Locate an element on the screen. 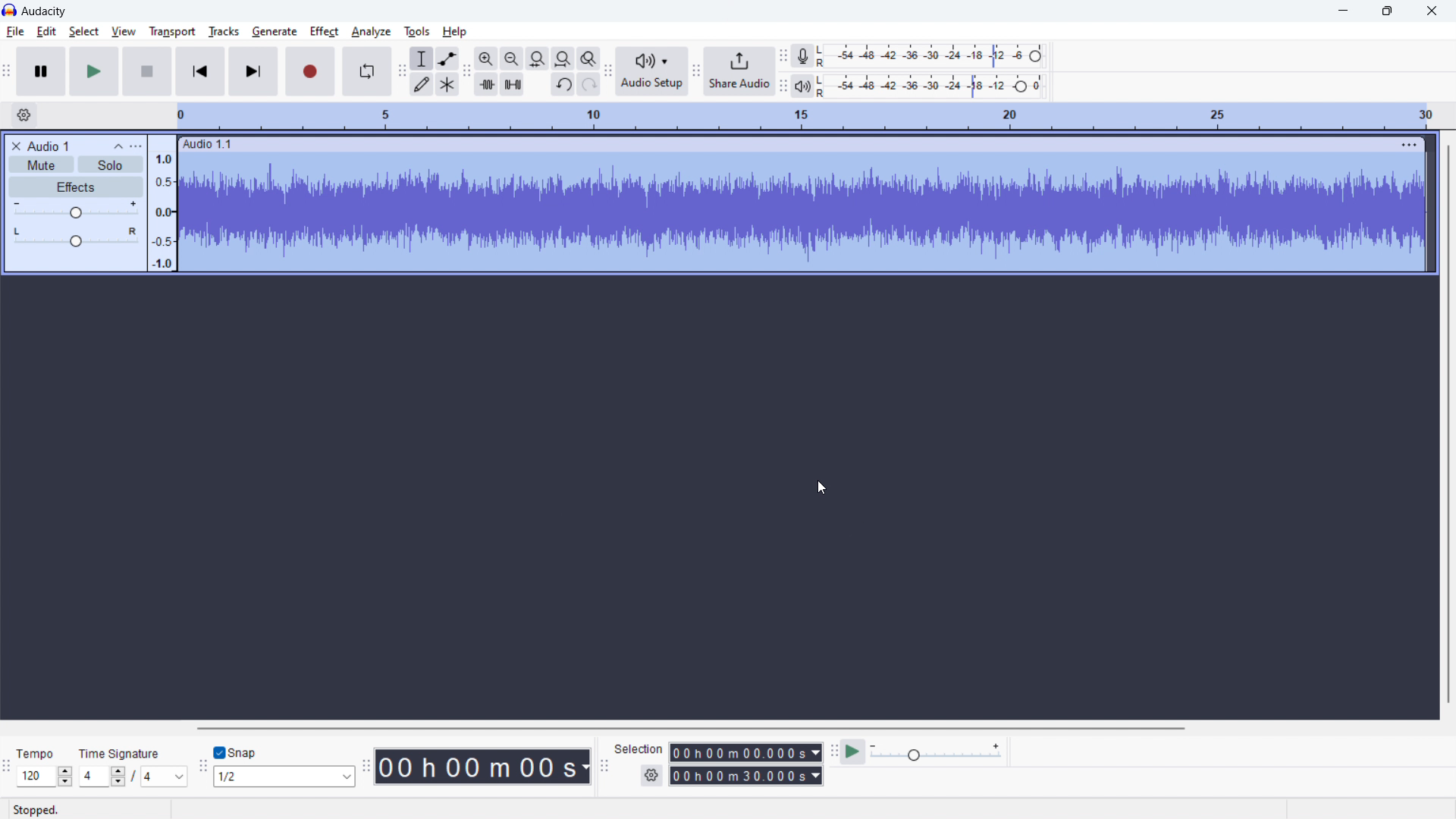  redo is located at coordinates (588, 84).